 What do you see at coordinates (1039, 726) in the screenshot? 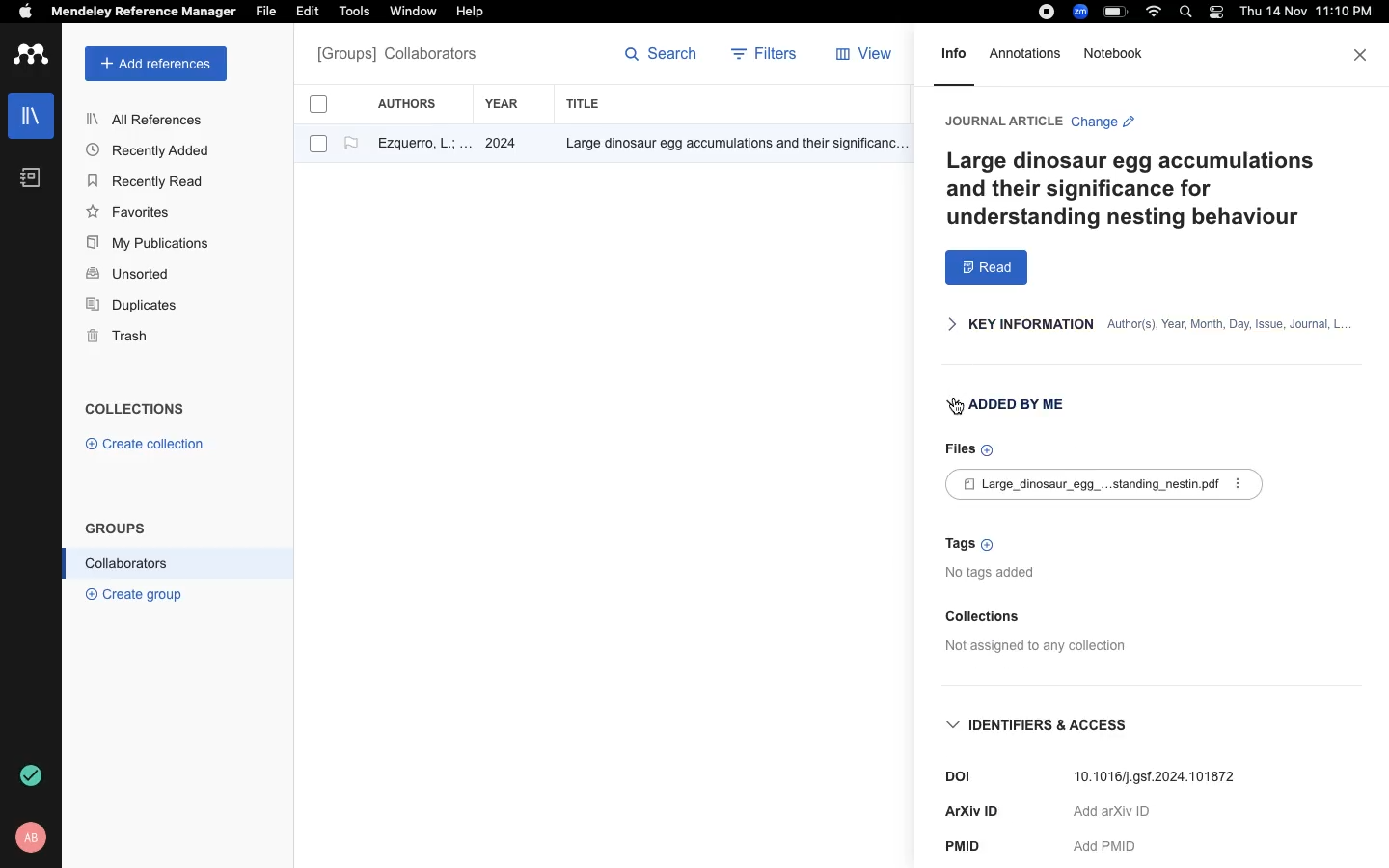
I see `IDENTIFIERS & ACCESS` at bounding box center [1039, 726].